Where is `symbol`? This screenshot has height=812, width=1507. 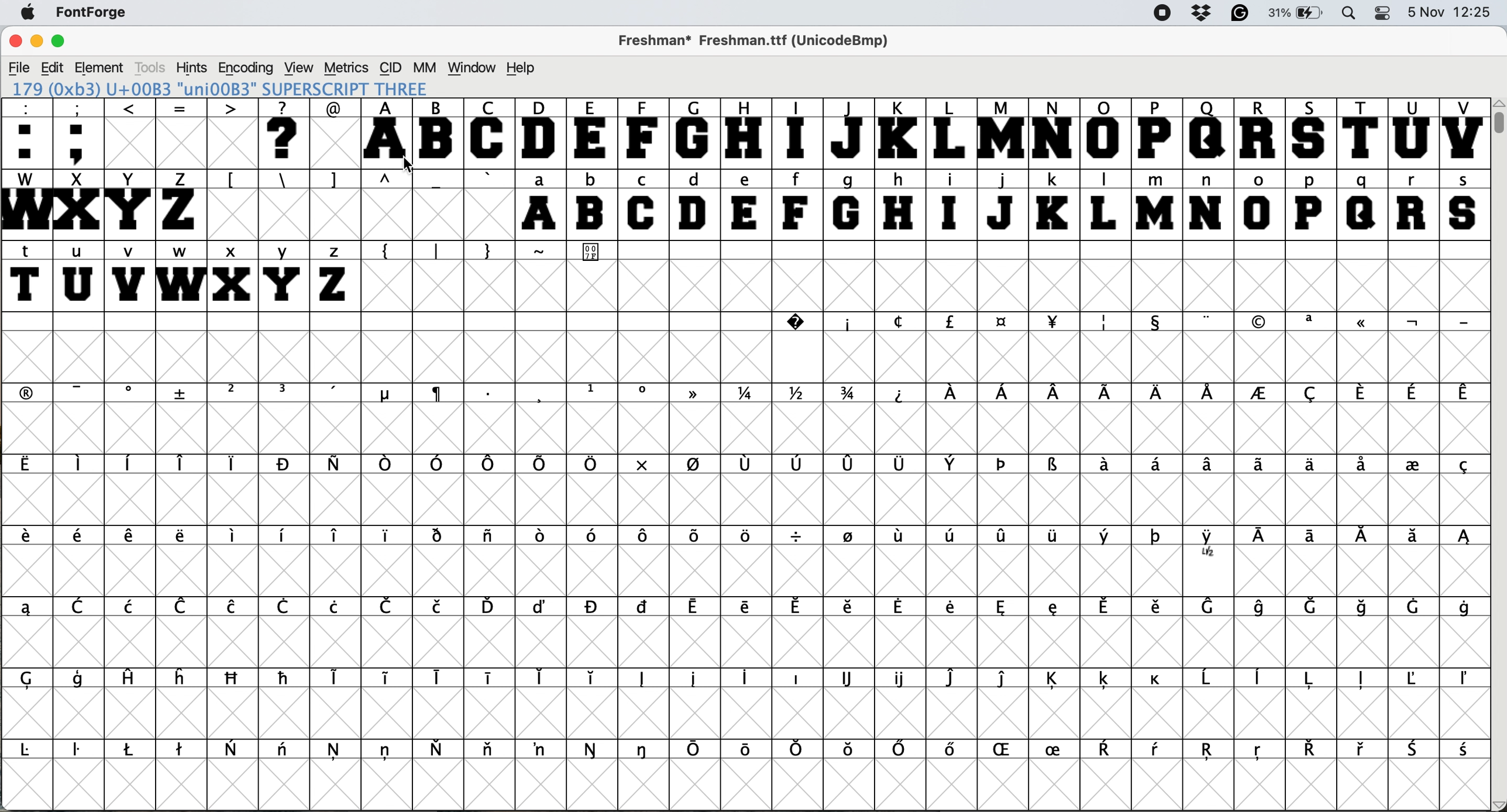 symbol is located at coordinates (1315, 537).